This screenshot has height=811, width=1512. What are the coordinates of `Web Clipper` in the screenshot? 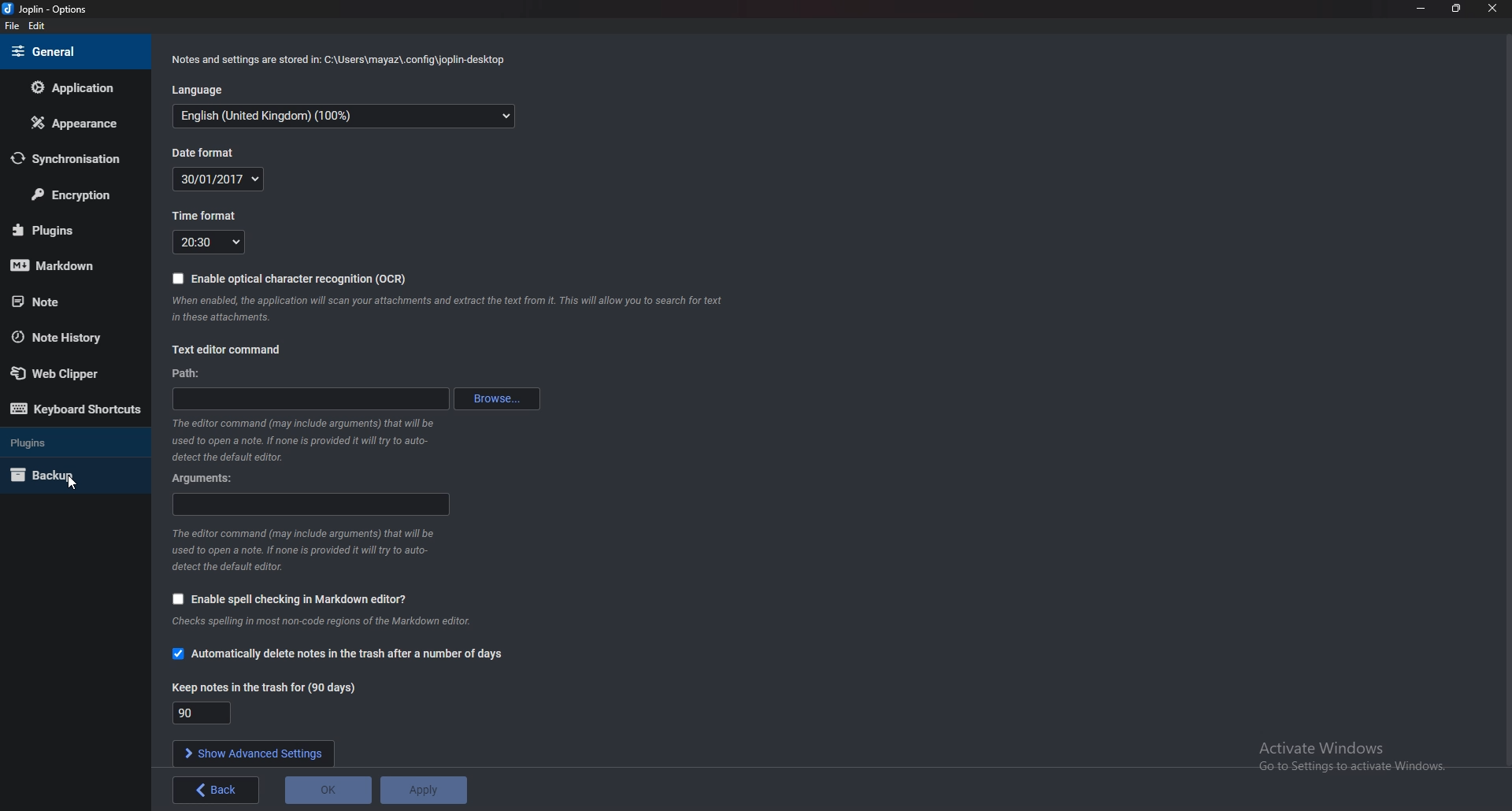 It's located at (61, 374).